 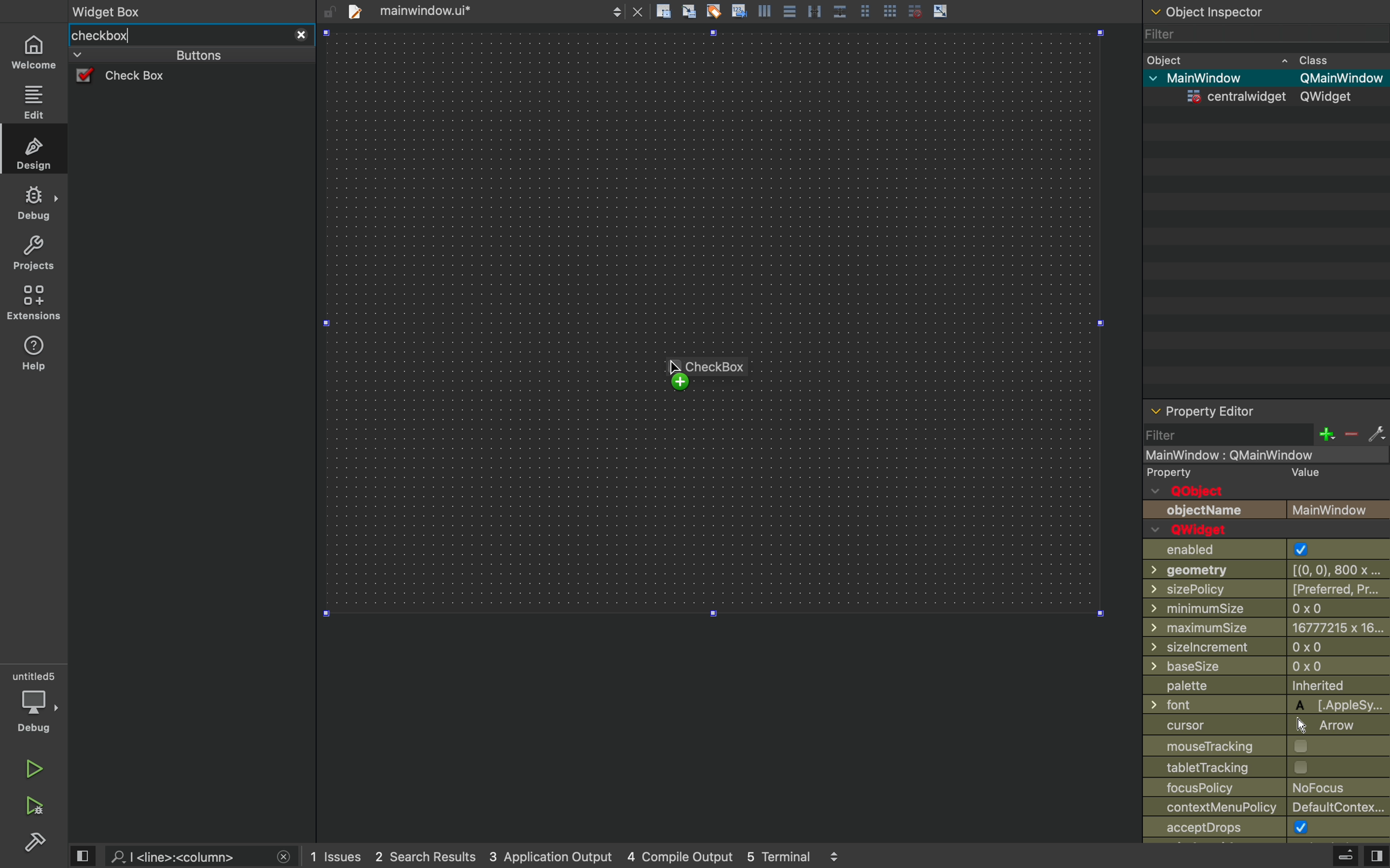 What do you see at coordinates (1350, 435) in the screenshot?
I see `minus` at bounding box center [1350, 435].